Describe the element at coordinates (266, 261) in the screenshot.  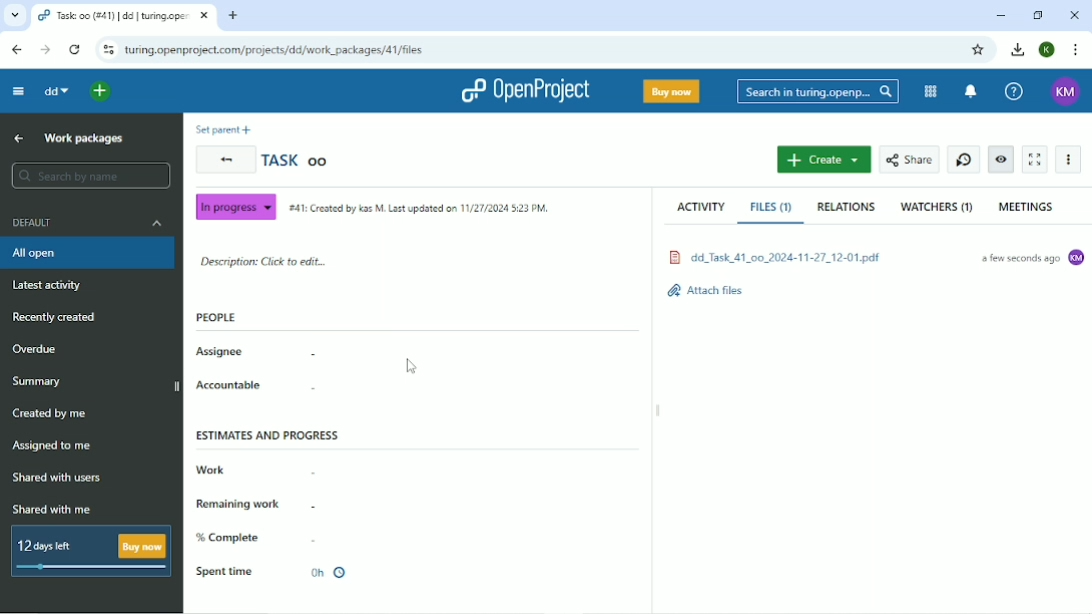
I see `Description` at that location.